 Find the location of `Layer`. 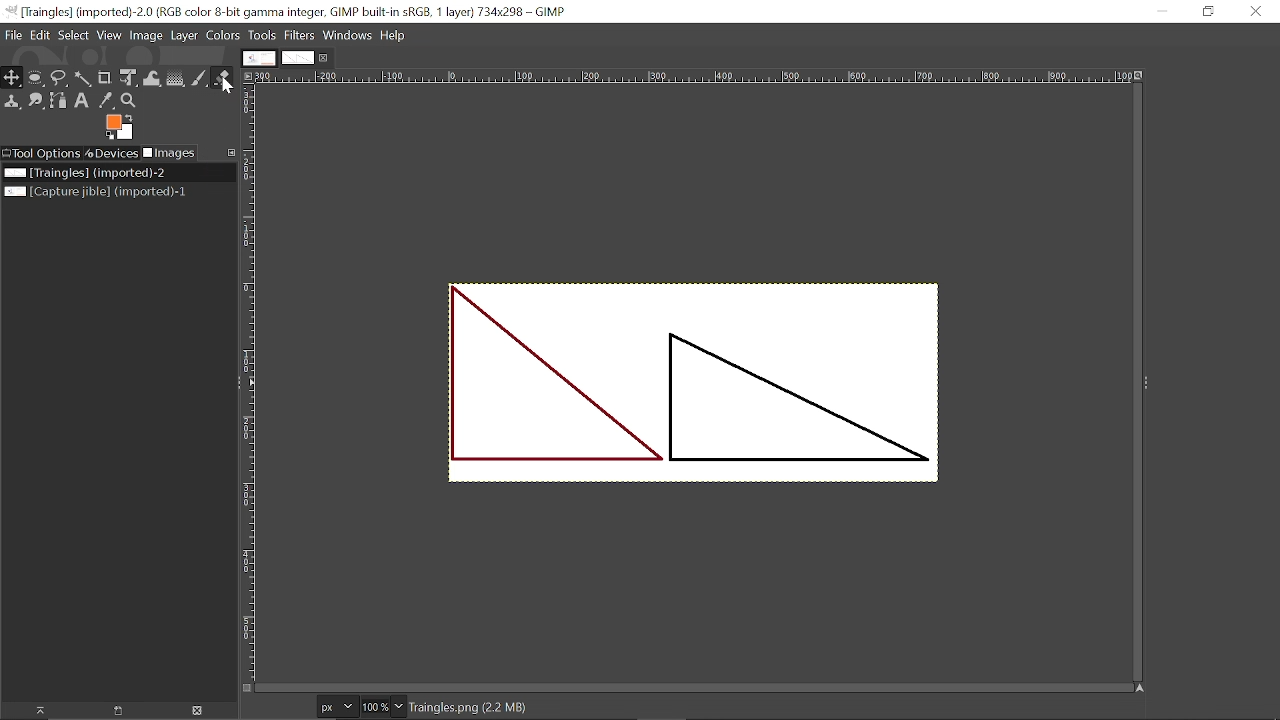

Layer is located at coordinates (185, 36).